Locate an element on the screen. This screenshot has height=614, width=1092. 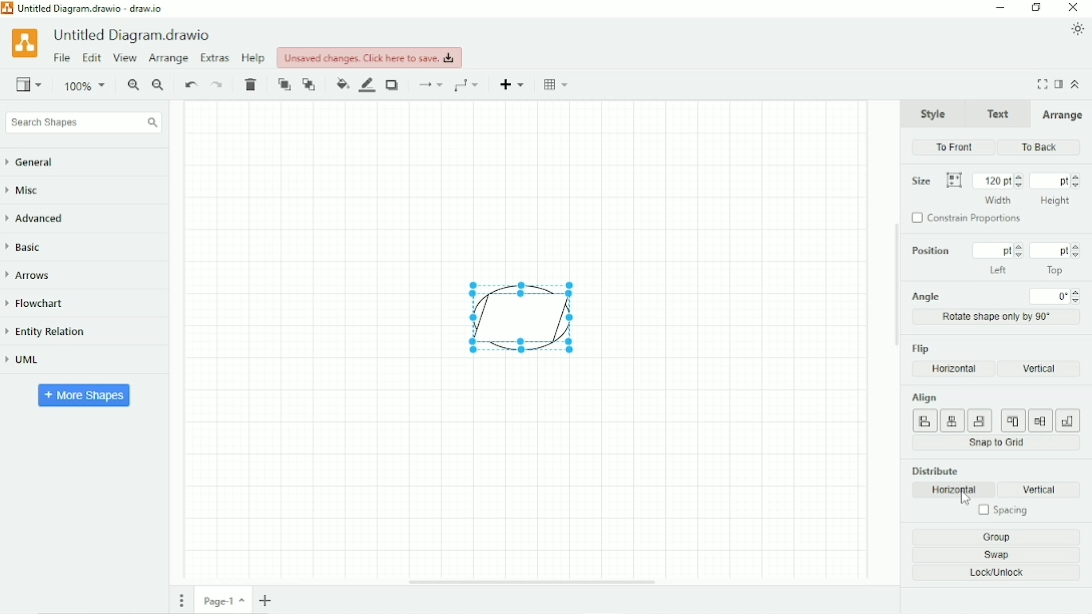
Zoom factor is located at coordinates (86, 86).